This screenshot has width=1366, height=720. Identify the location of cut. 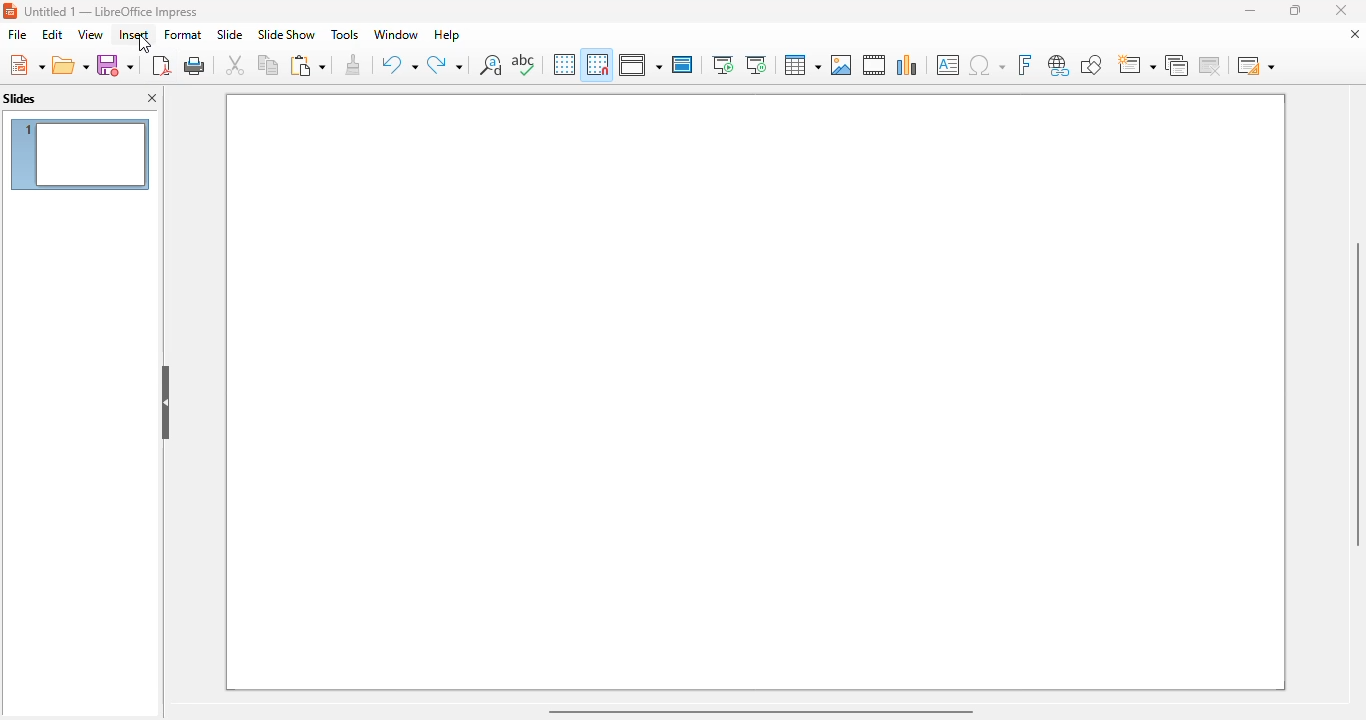
(235, 65).